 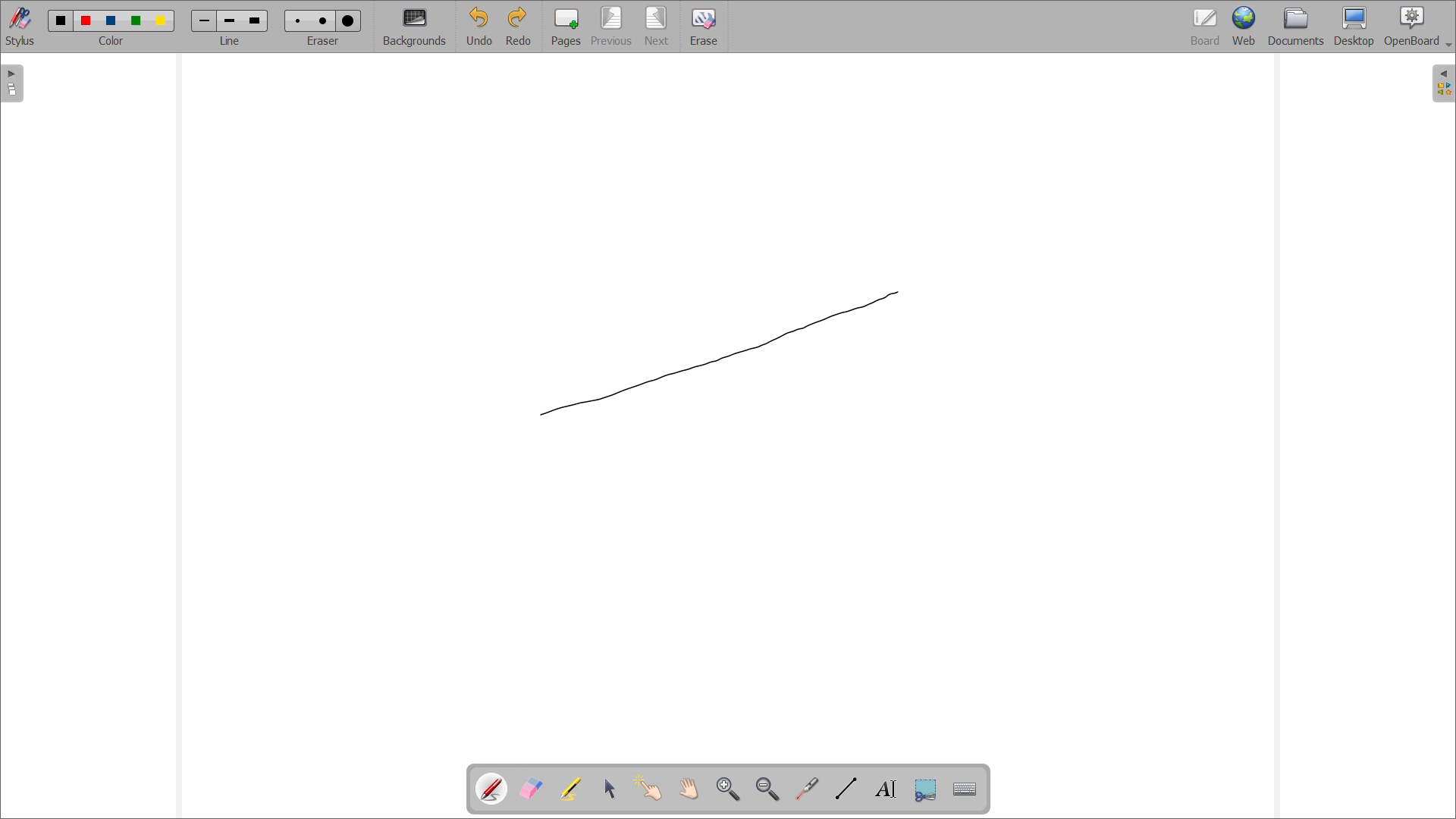 I want to click on color, so click(x=61, y=20).